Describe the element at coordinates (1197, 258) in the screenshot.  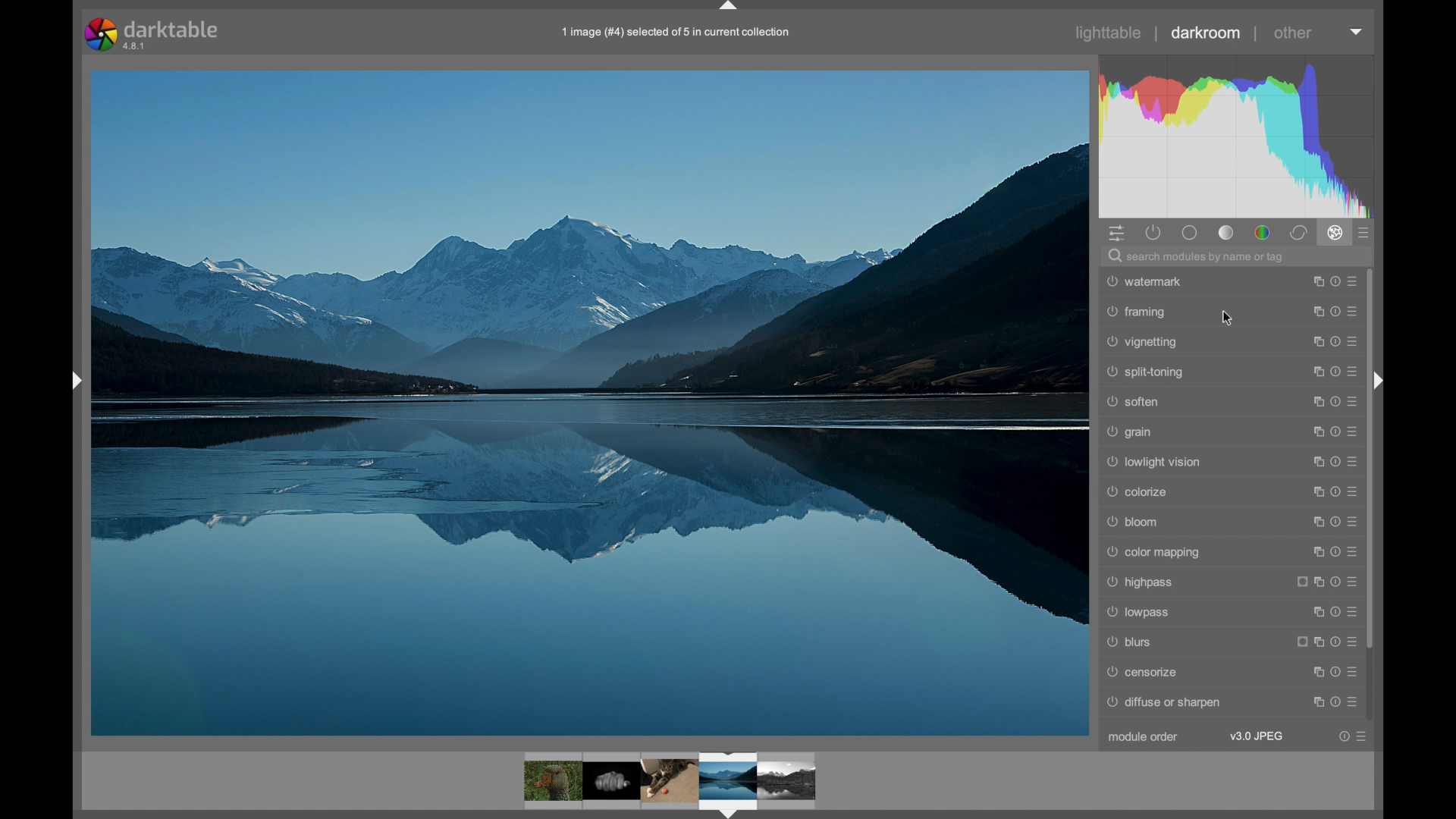
I see `search` at that location.